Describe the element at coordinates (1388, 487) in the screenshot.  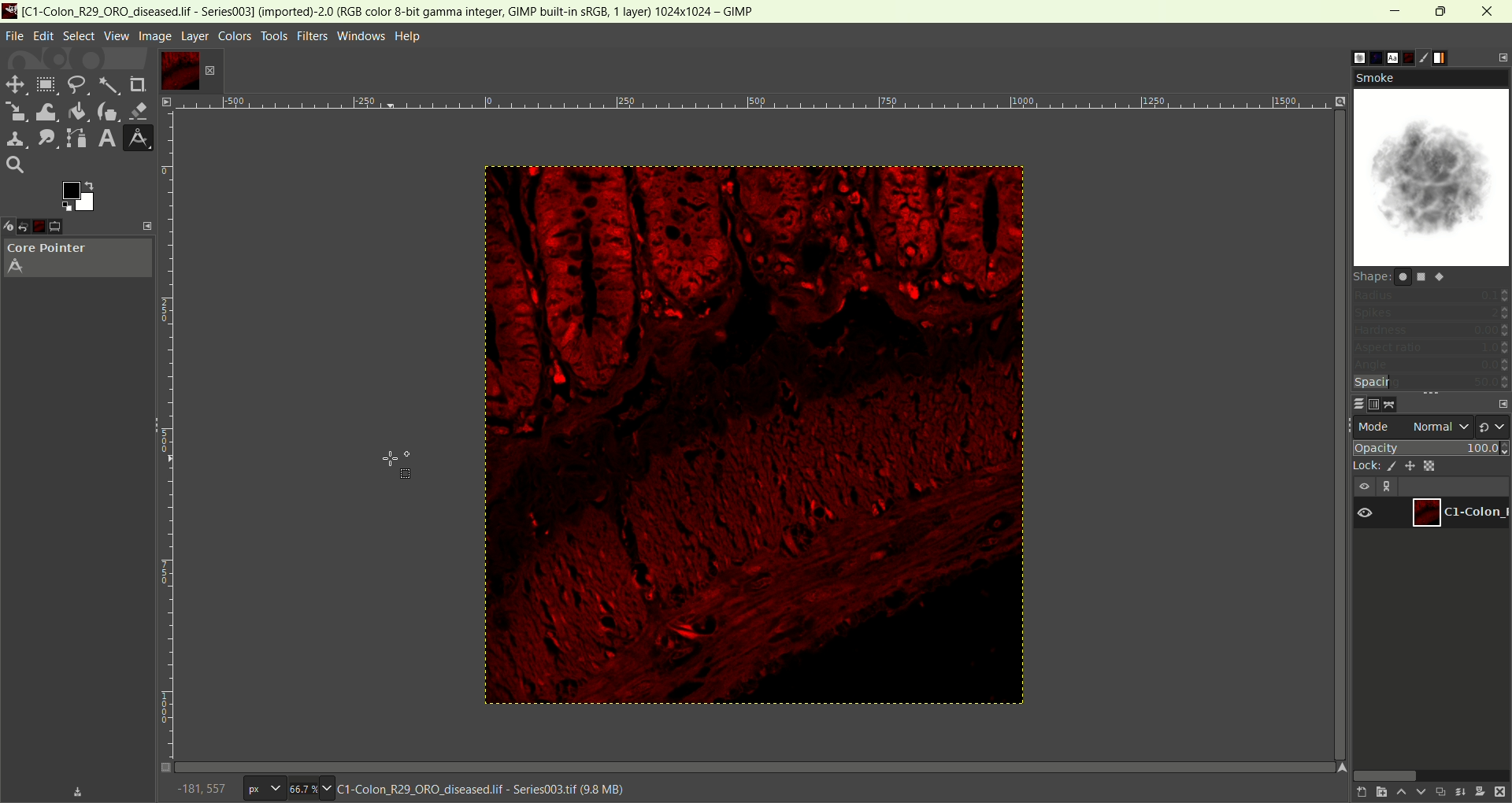
I see `link layer` at that location.